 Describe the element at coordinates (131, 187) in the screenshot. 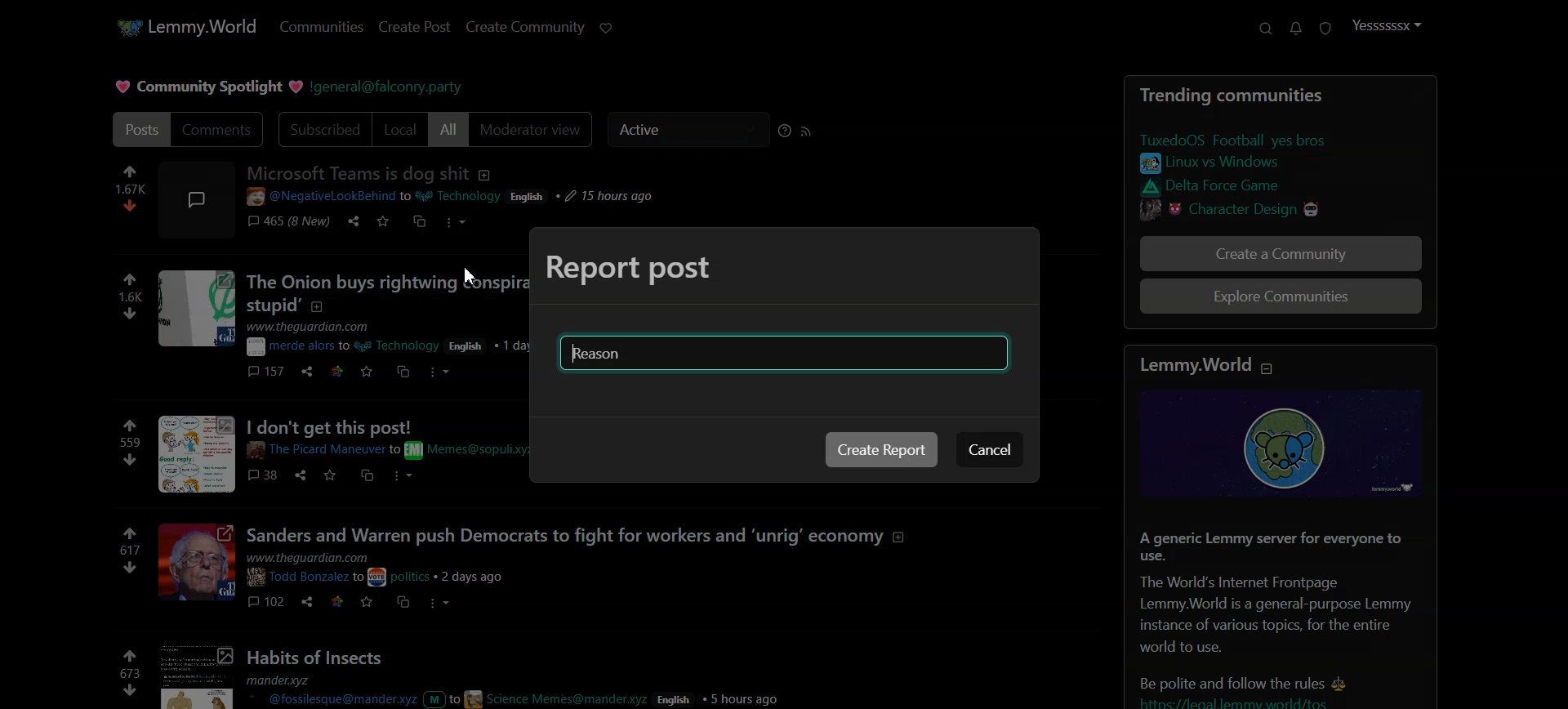

I see `numbers` at that location.